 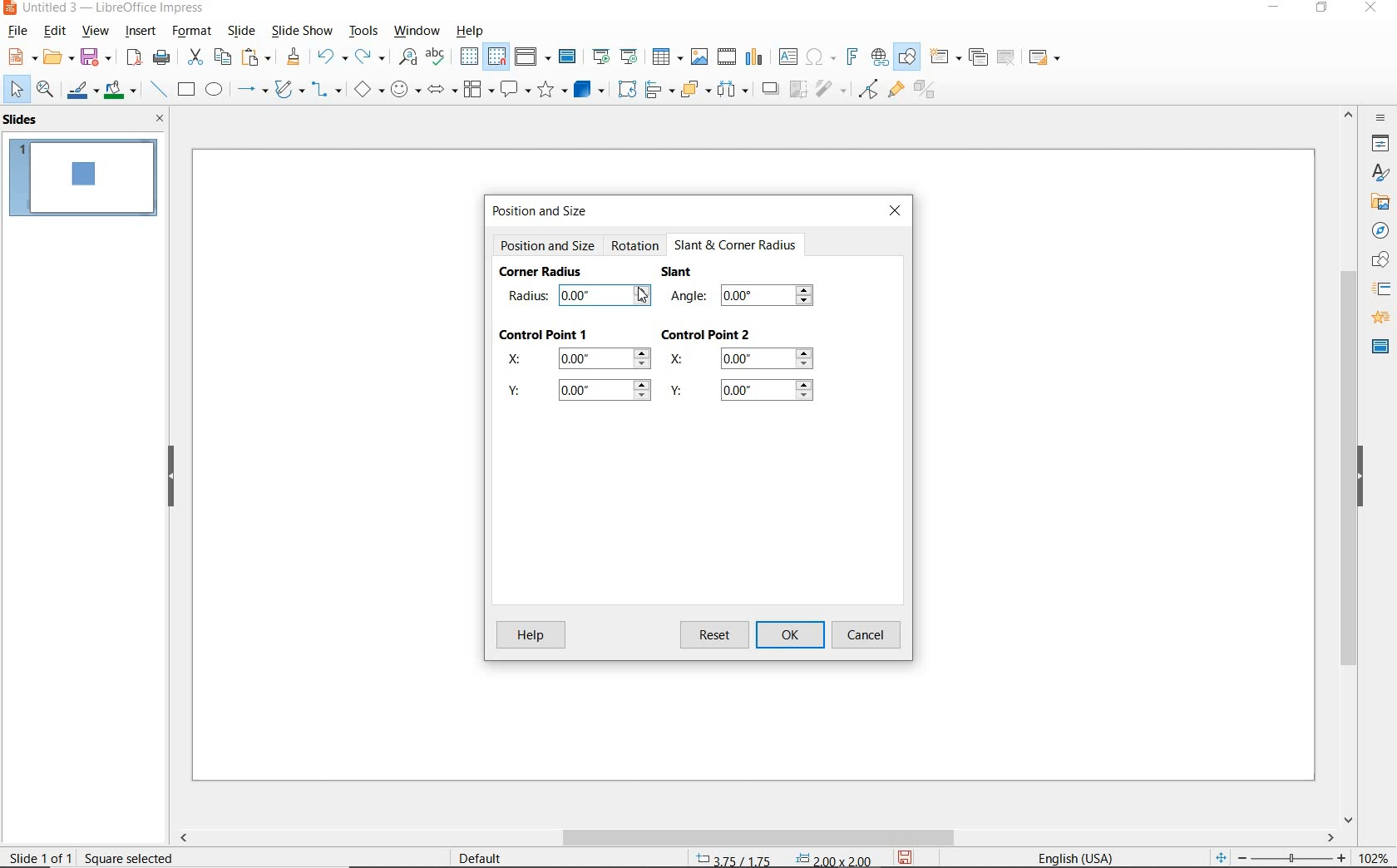 What do you see at coordinates (644, 296) in the screenshot?
I see `cursor` at bounding box center [644, 296].